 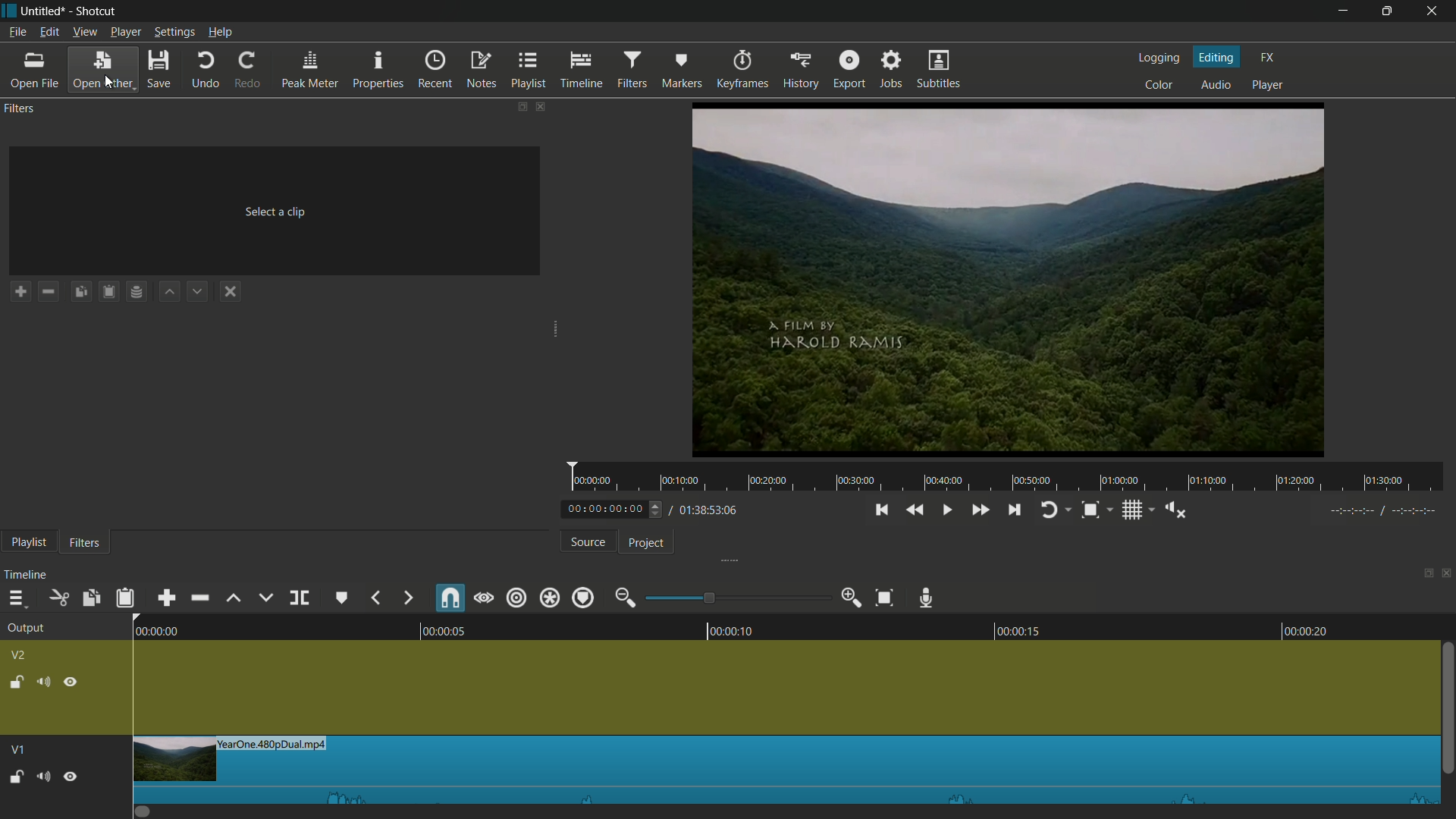 I want to click on output, so click(x=24, y=629).